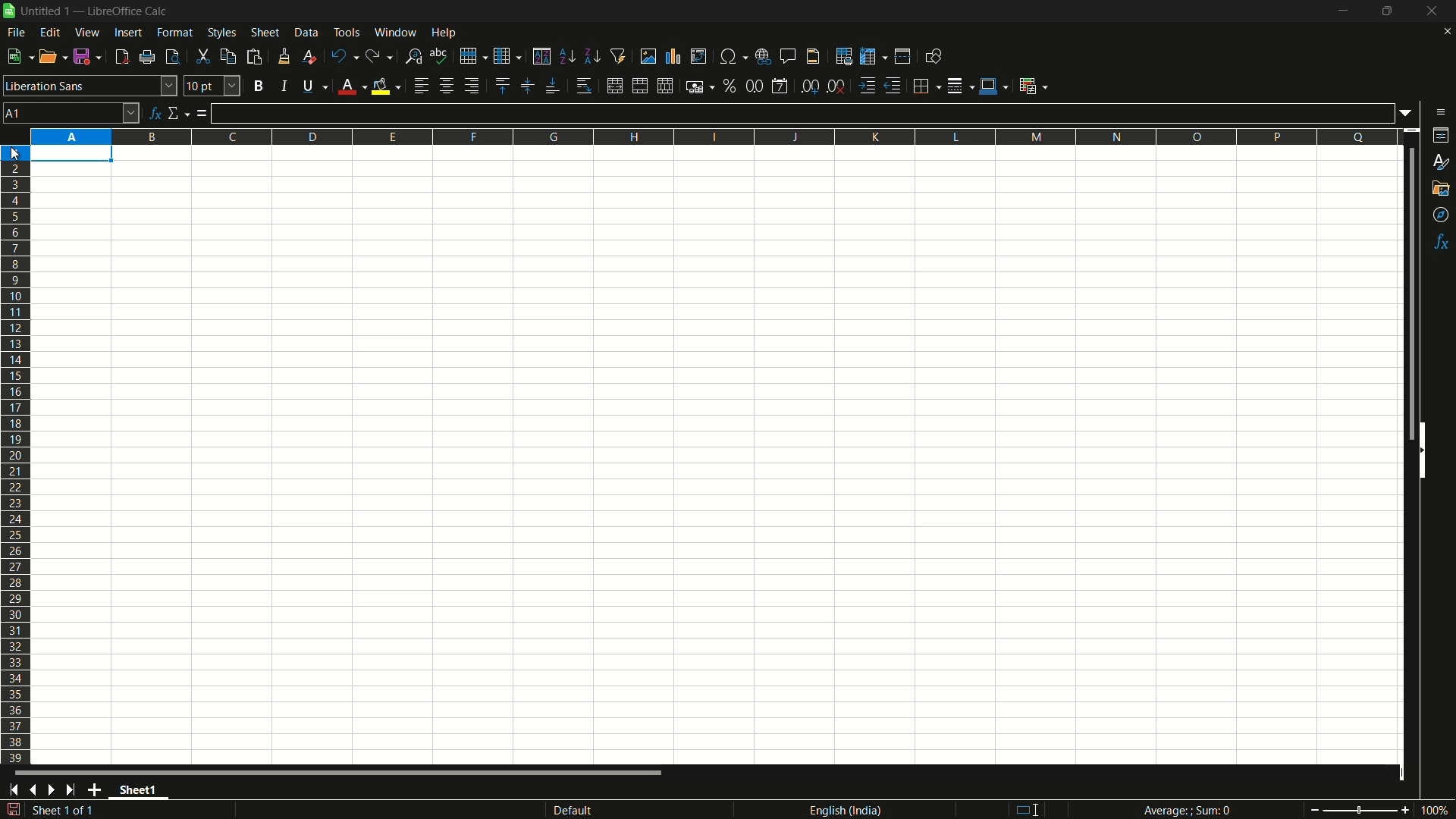 The image size is (1456, 819). What do you see at coordinates (147, 58) in the screenshot?
I see `print` at bounding box center [147, 58].